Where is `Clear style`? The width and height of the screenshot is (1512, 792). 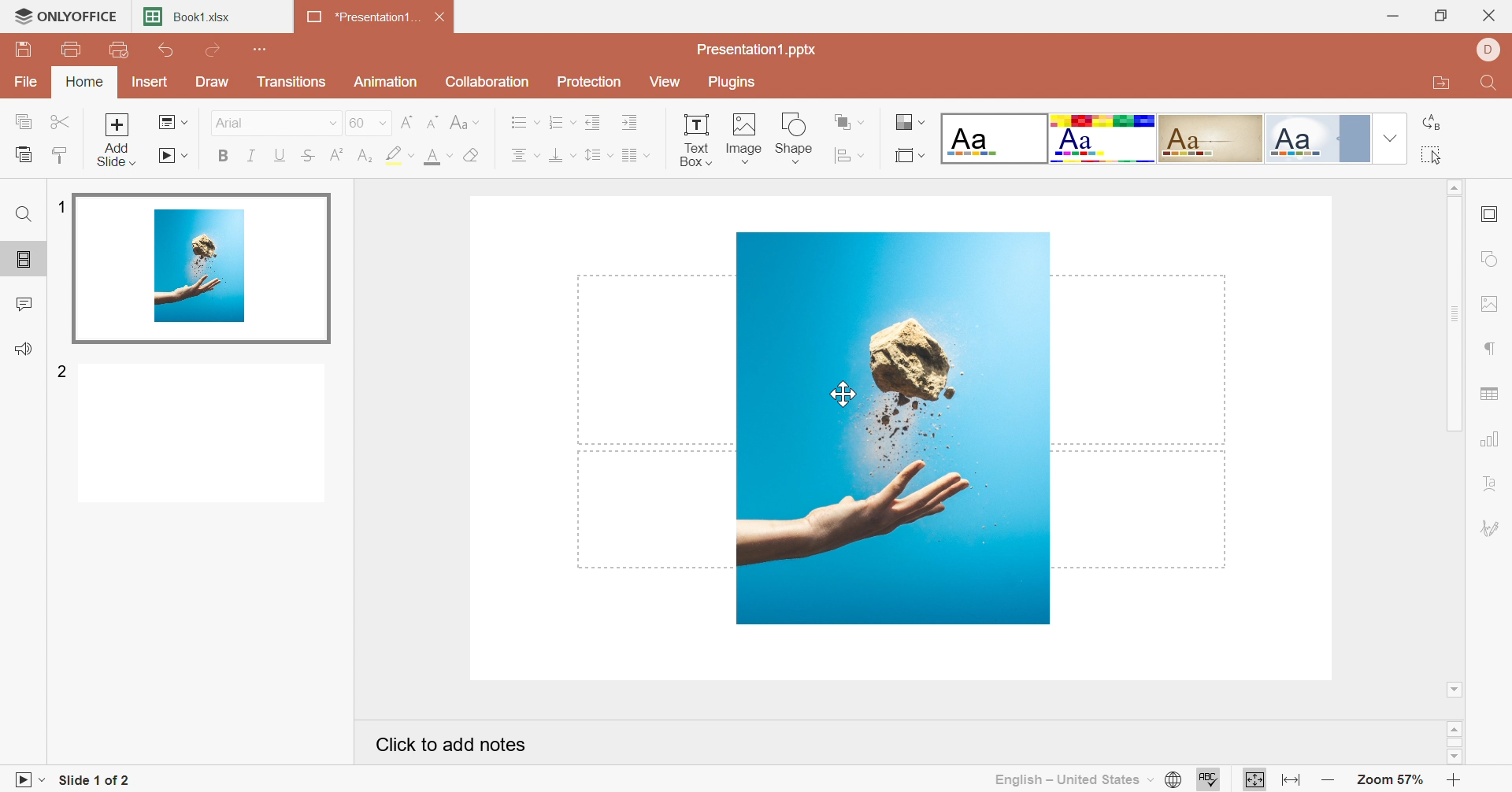
Clear style is located at coordinates (472, 154).